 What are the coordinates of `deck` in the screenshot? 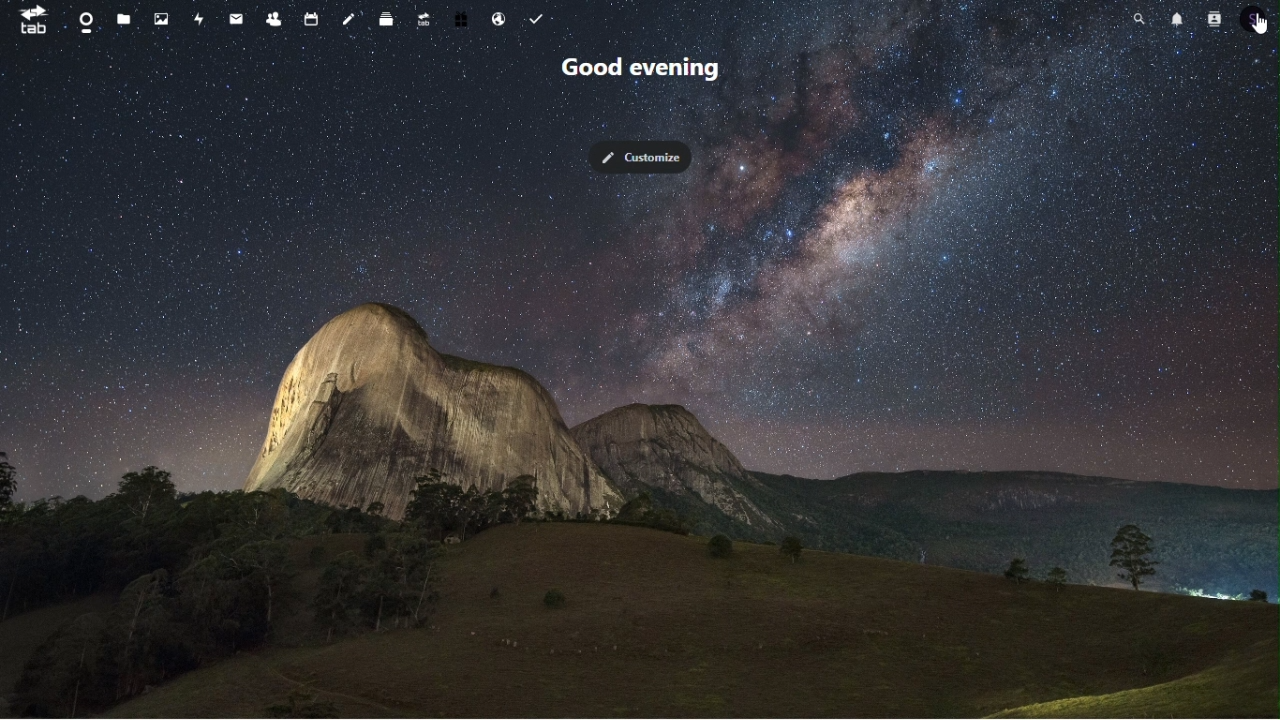 It's located at (388, 18).